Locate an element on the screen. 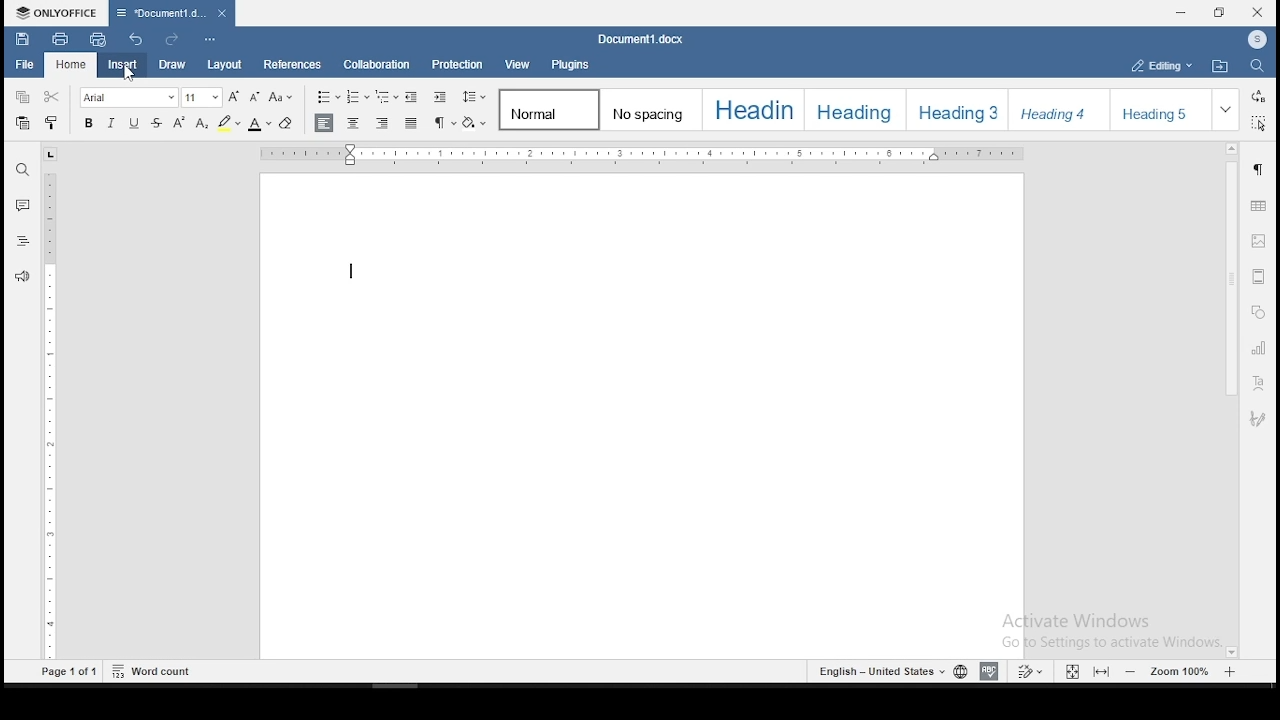 The width and height of the screenshot is (1280, 720). cut is located at coordinates (55, 97).